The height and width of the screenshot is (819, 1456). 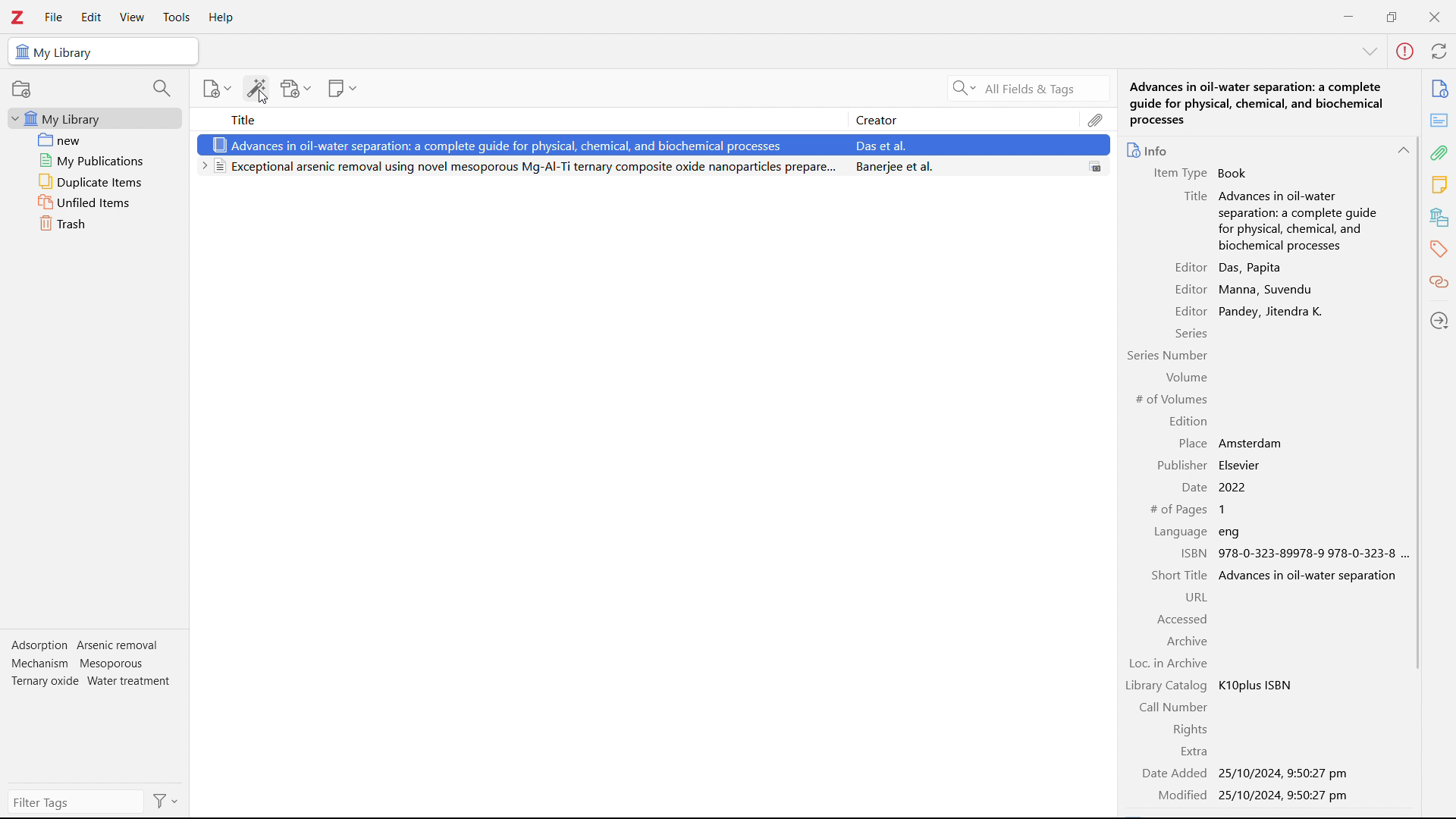 I want to click on add notes, so click(x=343, y=89).